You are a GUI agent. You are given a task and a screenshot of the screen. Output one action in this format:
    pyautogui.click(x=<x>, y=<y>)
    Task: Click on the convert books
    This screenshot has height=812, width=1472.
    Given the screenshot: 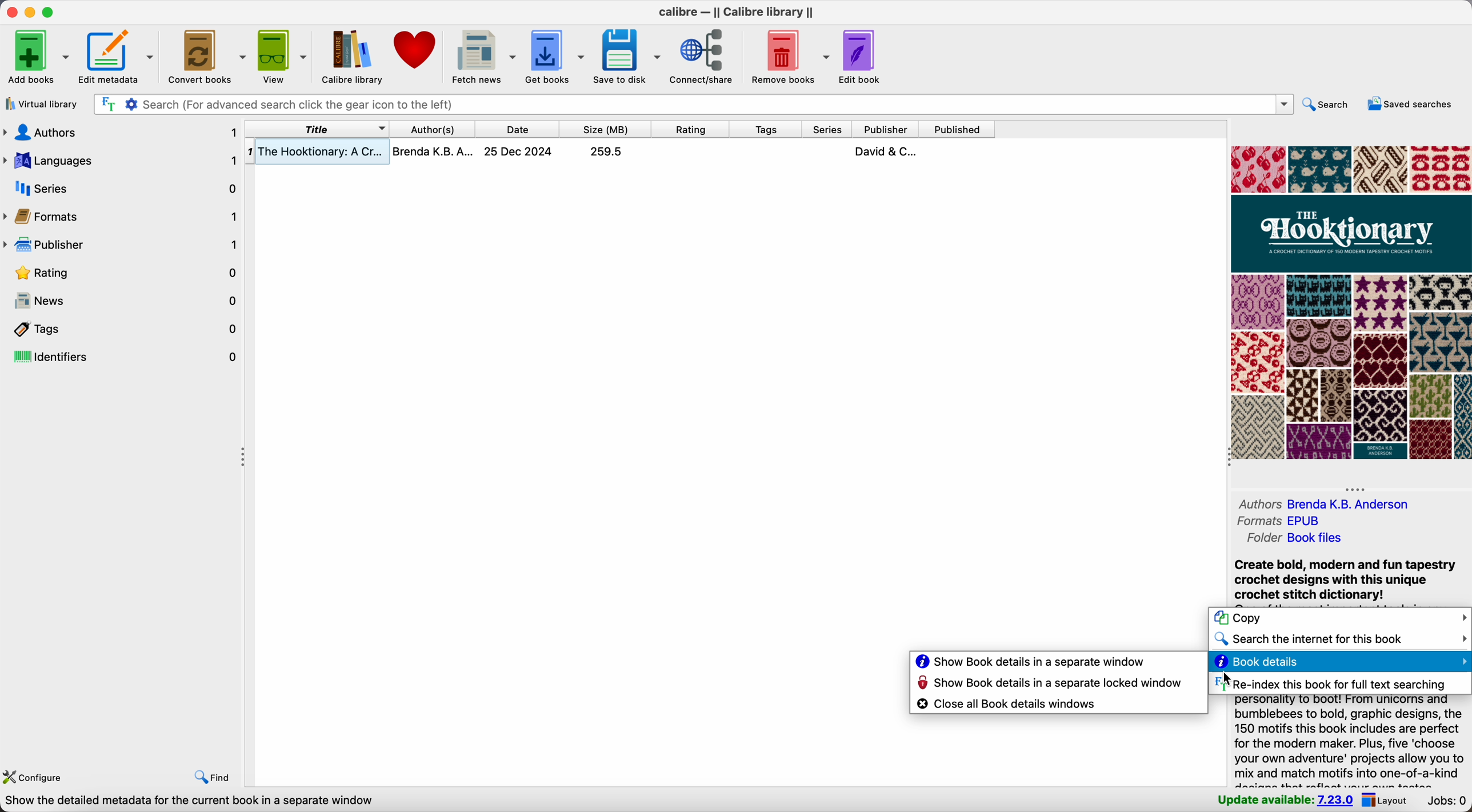 What is the action you would take?
    pyautogui.click(x=205, y=55)
    